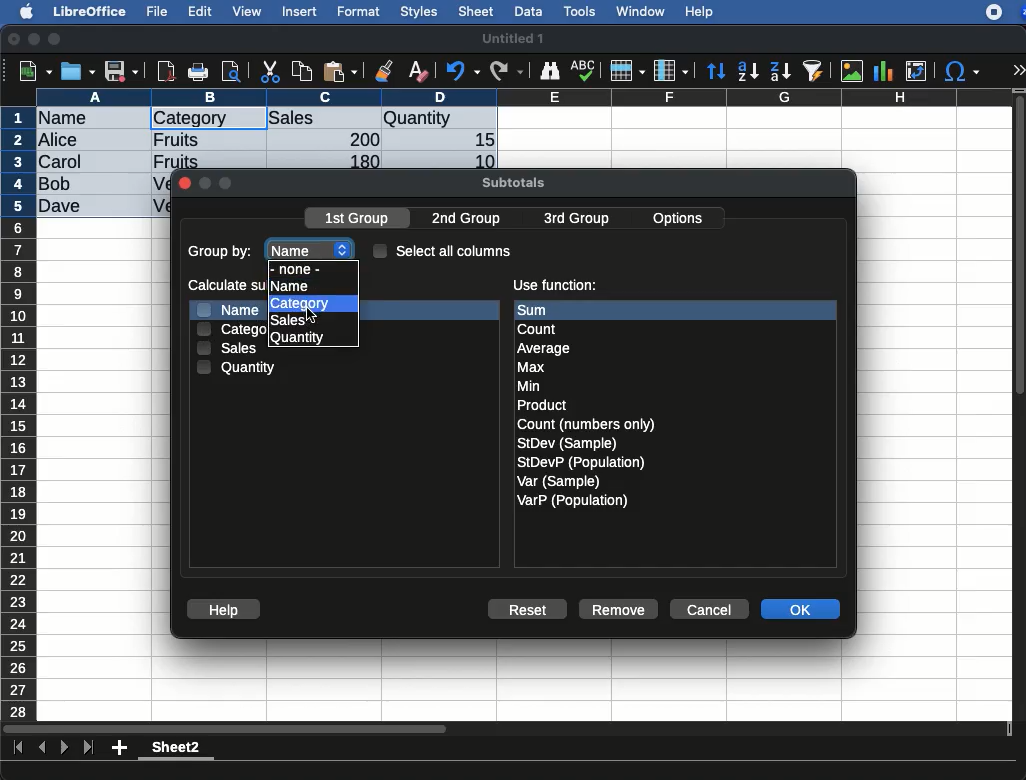  I want to click on sheet, so click(477, 11).